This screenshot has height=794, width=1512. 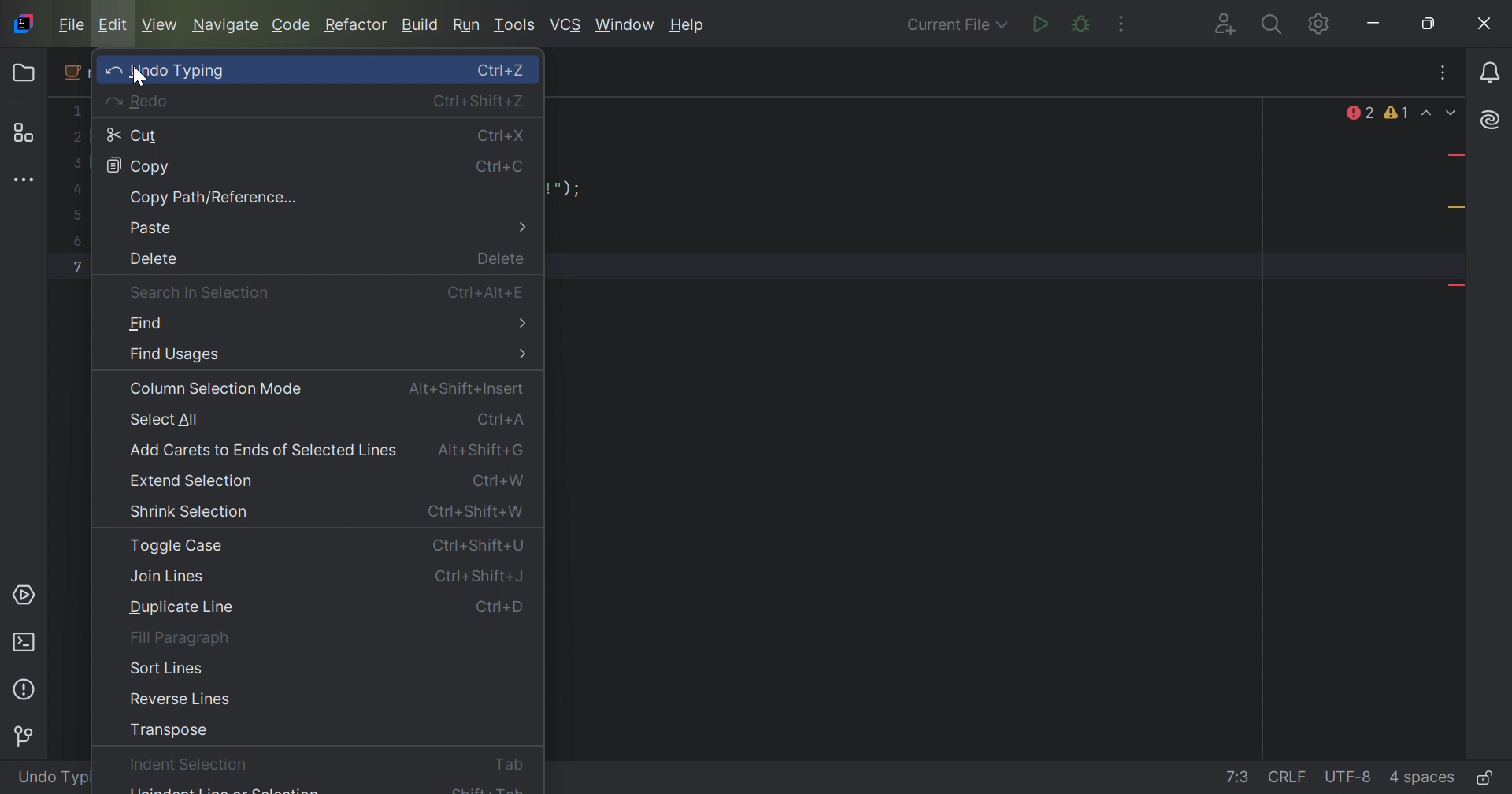 What do you see at coordinates (157, 260) in the screenshot?
I see `Delete` at bounding box center [157, 260].